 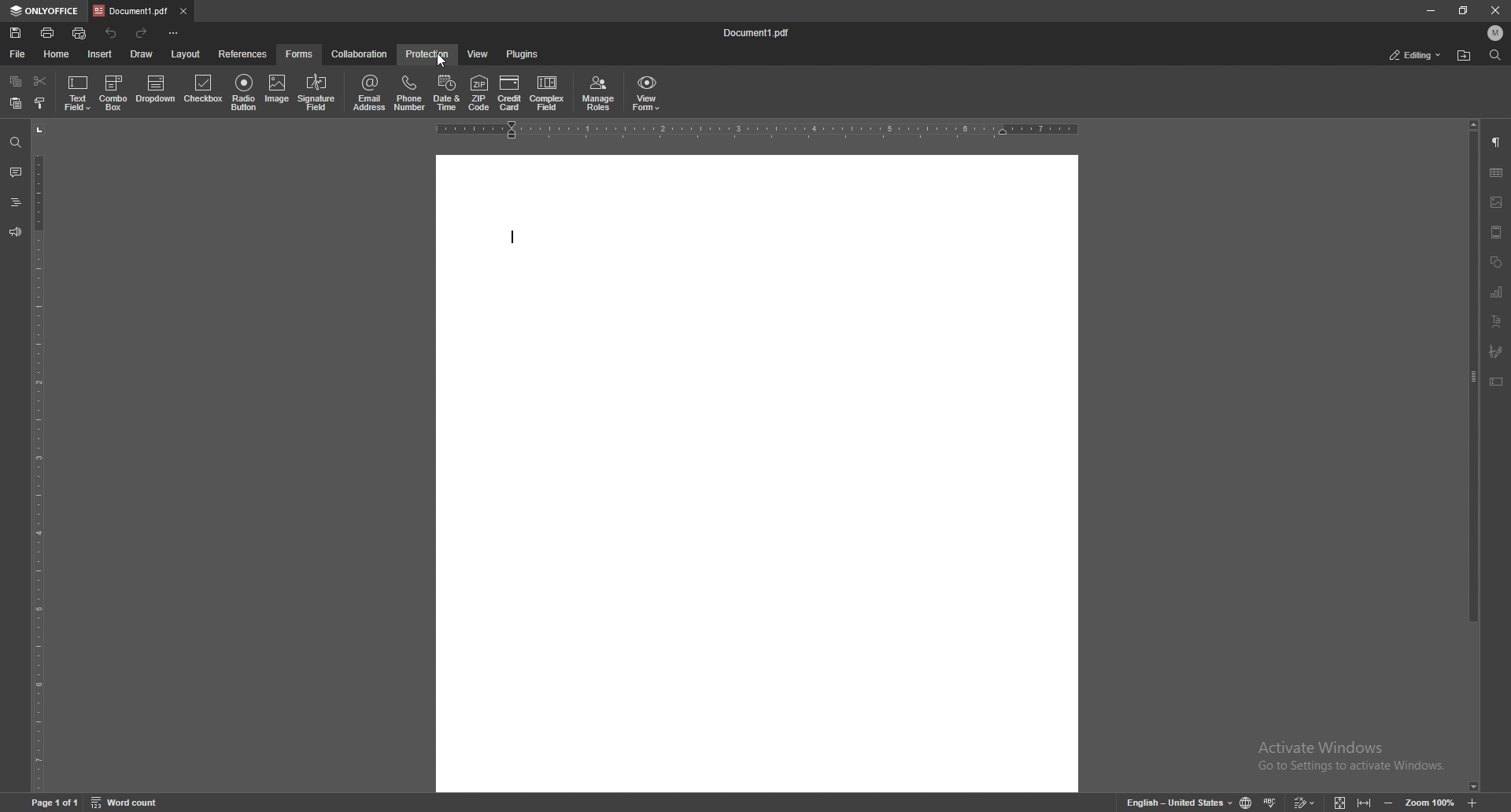 What do you see at coordinates (127, 802) in the screenshot?
I see `word count` at bounding box center [127, 802].